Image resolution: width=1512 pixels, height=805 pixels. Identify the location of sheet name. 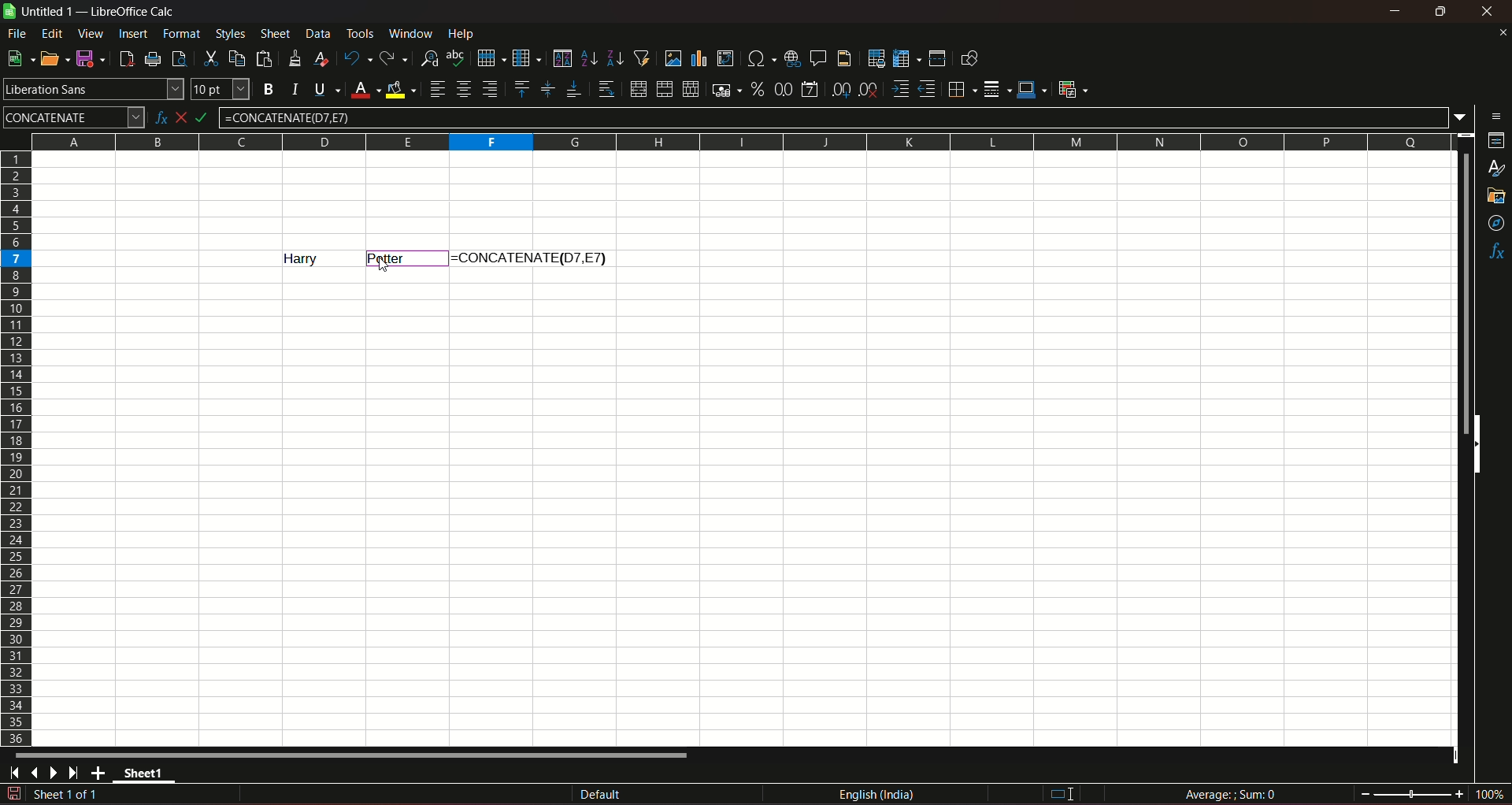
(40, 12).